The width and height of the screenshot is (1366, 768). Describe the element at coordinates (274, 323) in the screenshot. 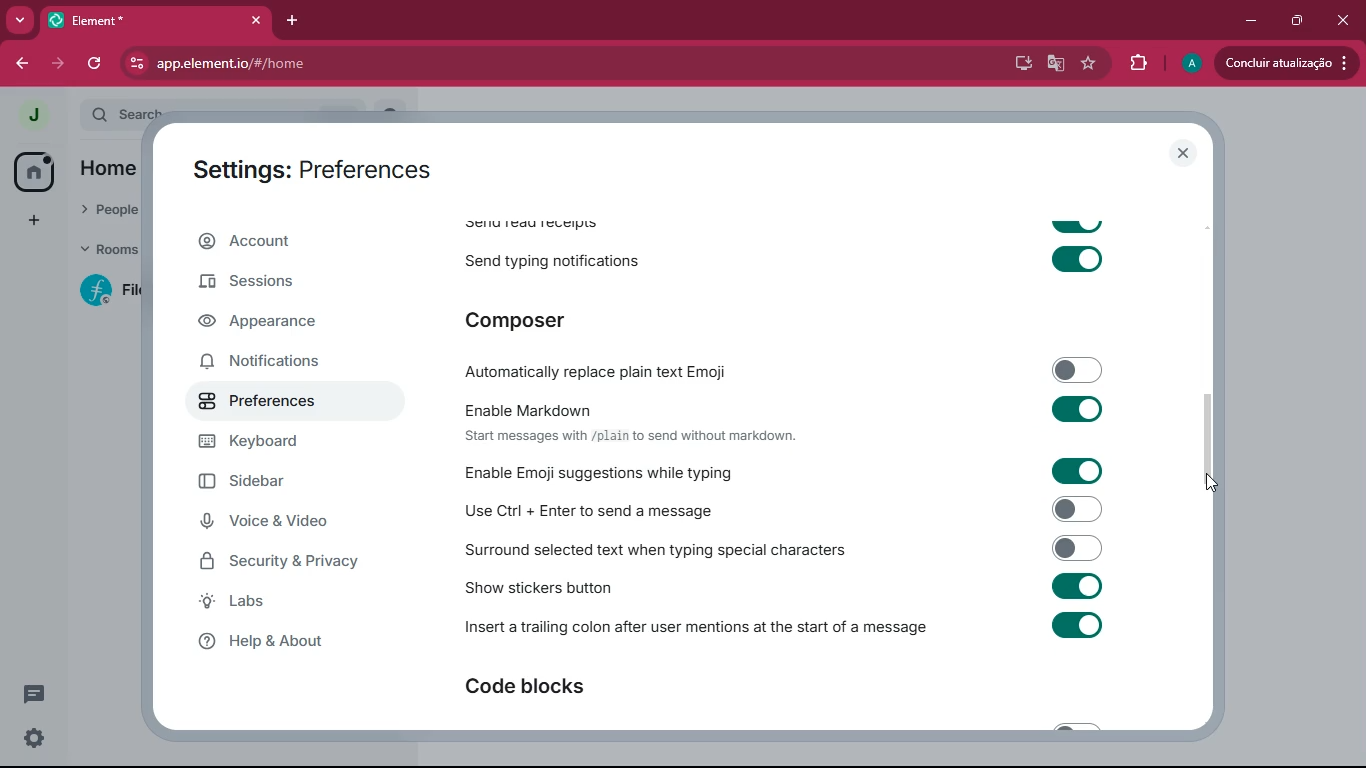

I see `appearance` at that location.